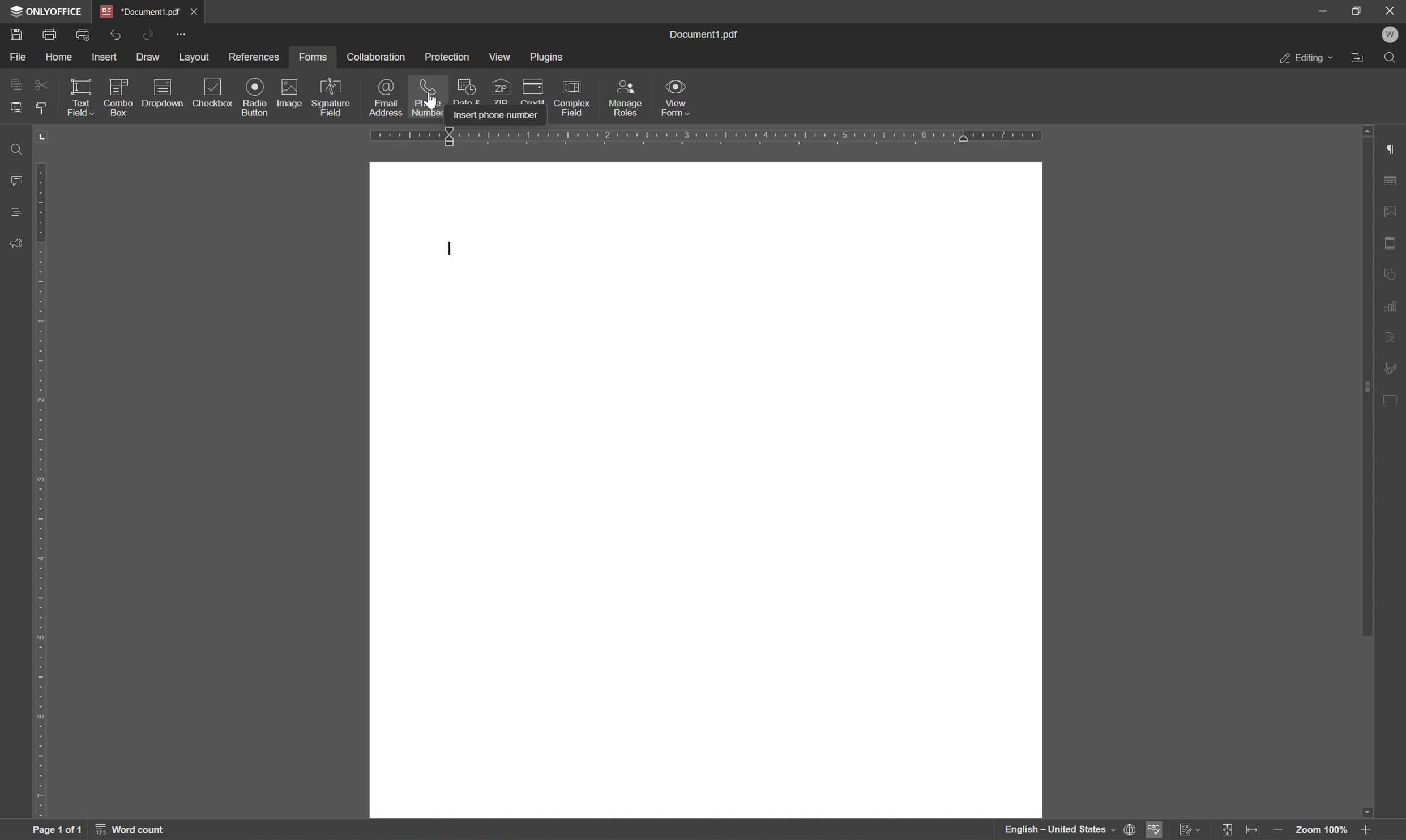 The image size is (1406, 840). Describe the element at coordinates (253, 57) in the screenshot. I see `references` at that location.